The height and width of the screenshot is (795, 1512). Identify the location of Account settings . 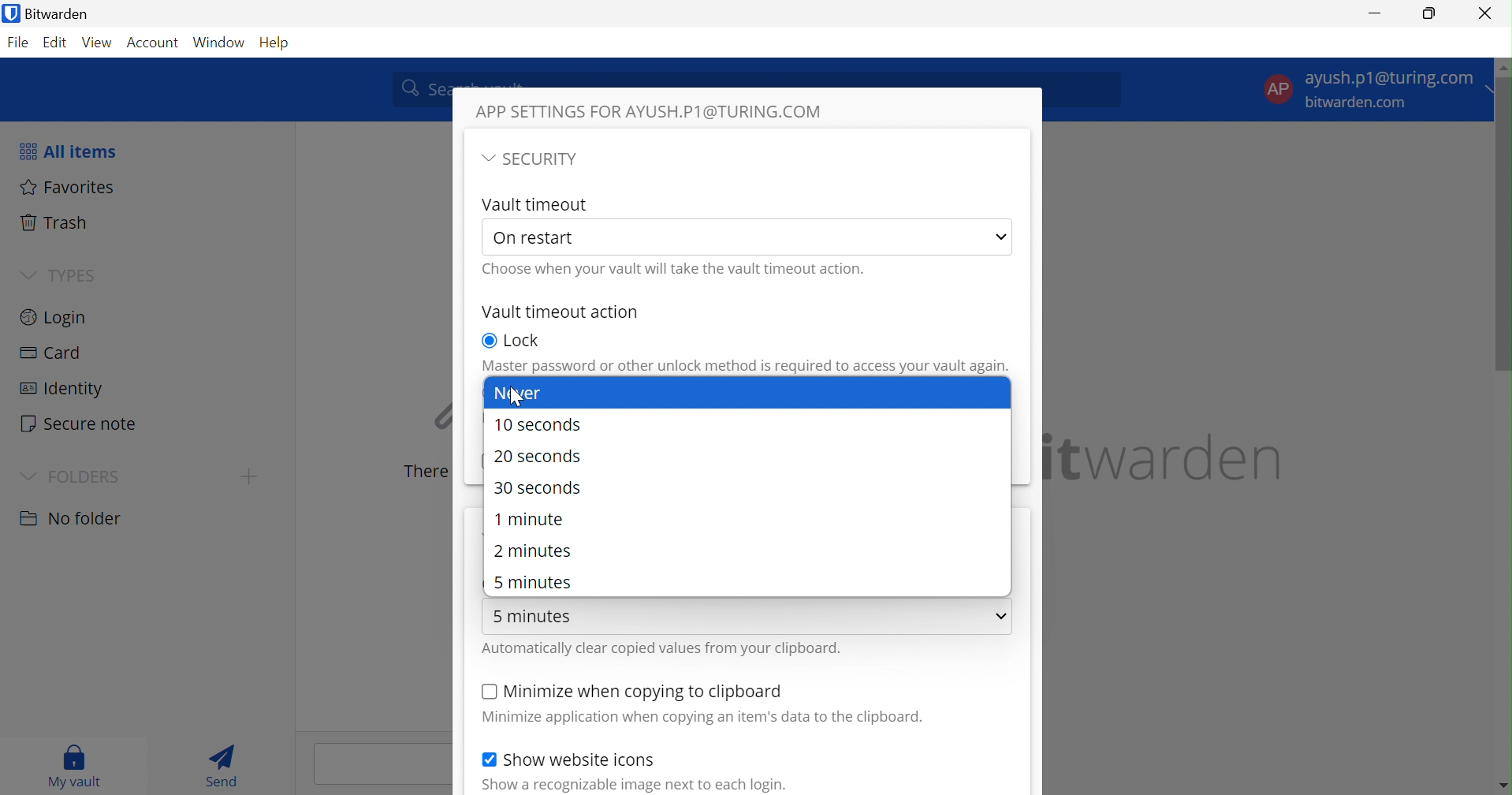
(1372, 87).